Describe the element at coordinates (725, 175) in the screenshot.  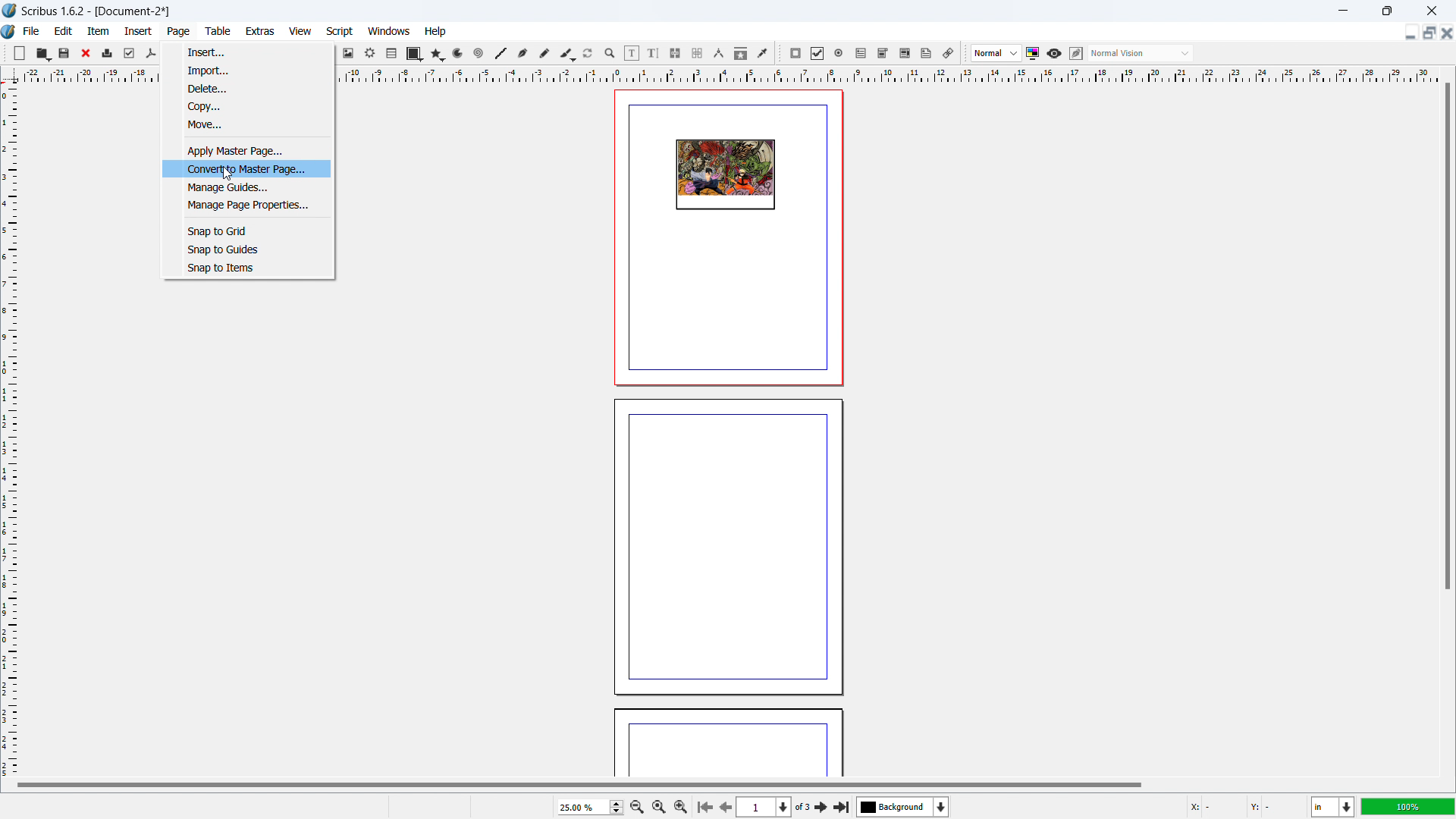
I see `page design` at that location.